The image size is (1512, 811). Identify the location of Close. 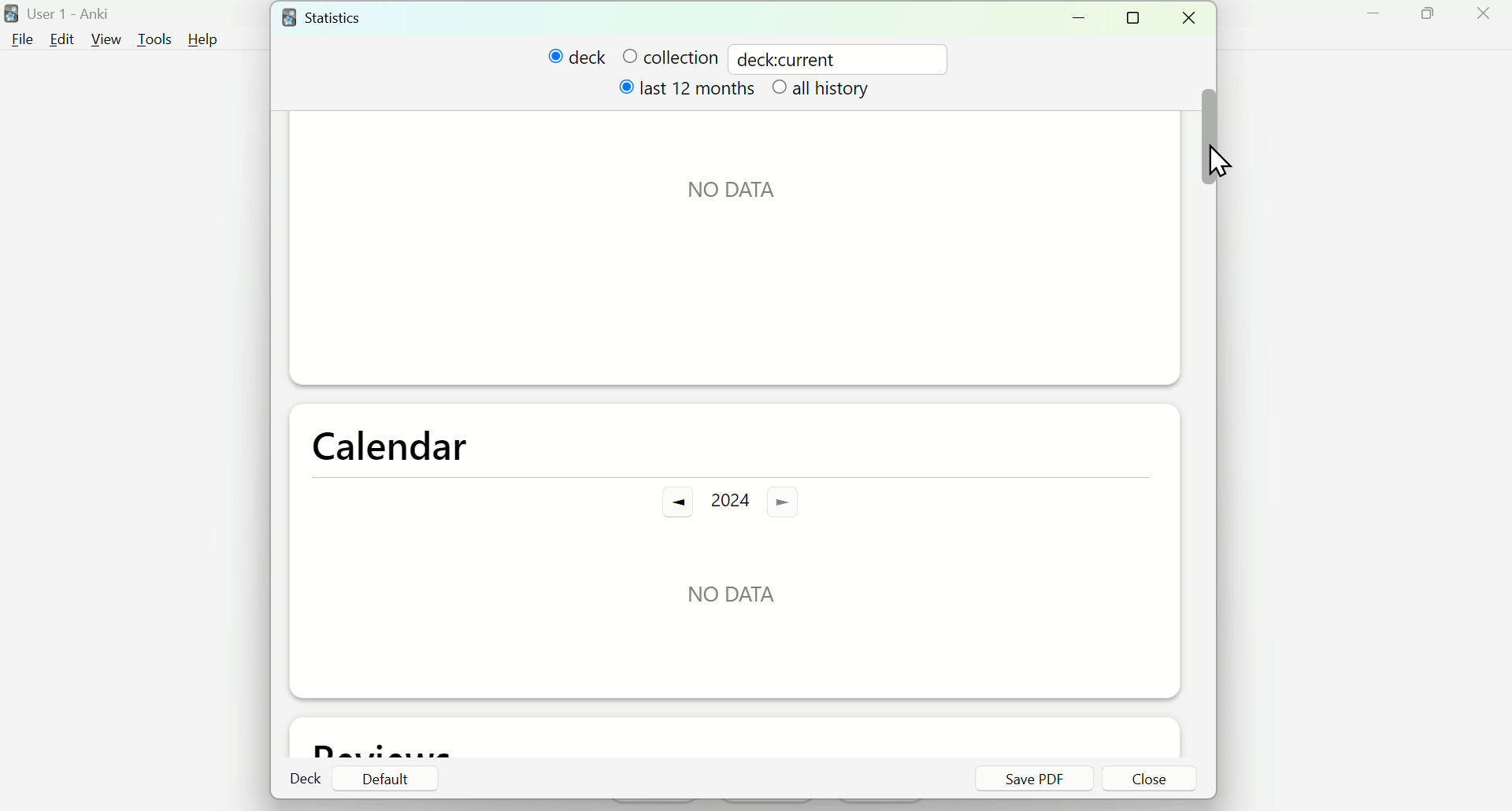
(1194, 18).